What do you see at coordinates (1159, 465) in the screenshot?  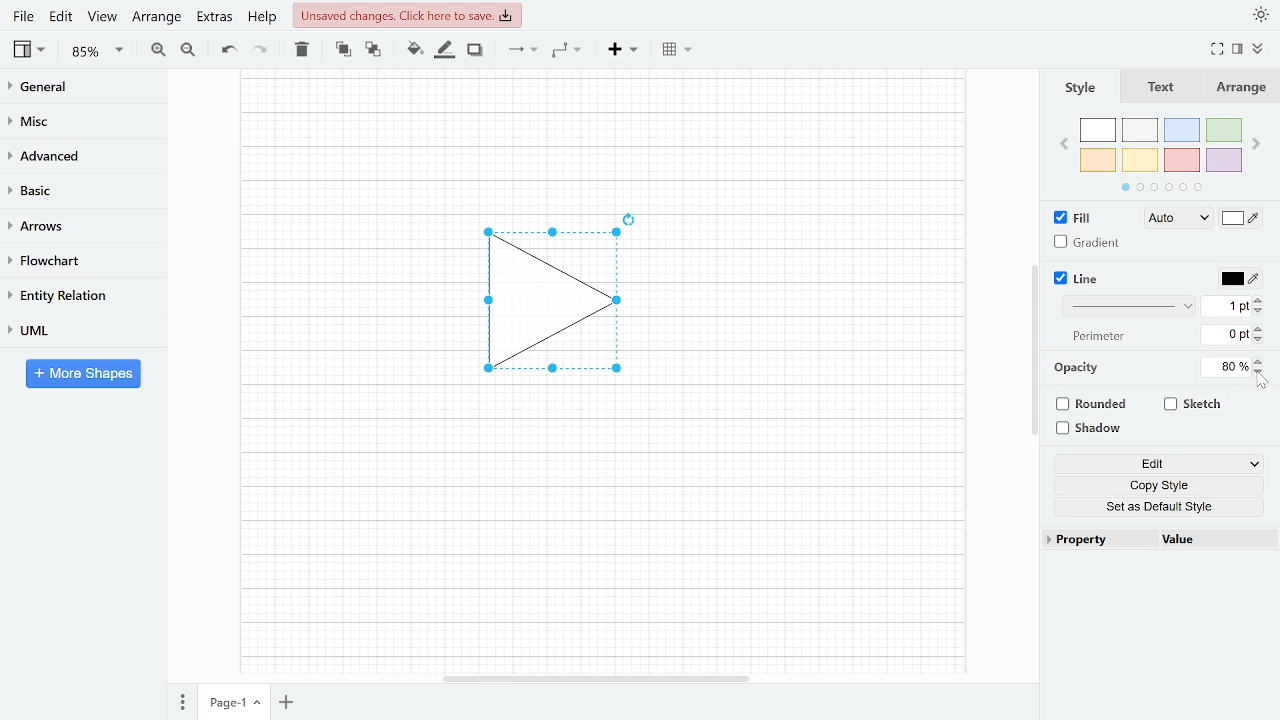 I see `Edit` at bounding box center [1159, 465].